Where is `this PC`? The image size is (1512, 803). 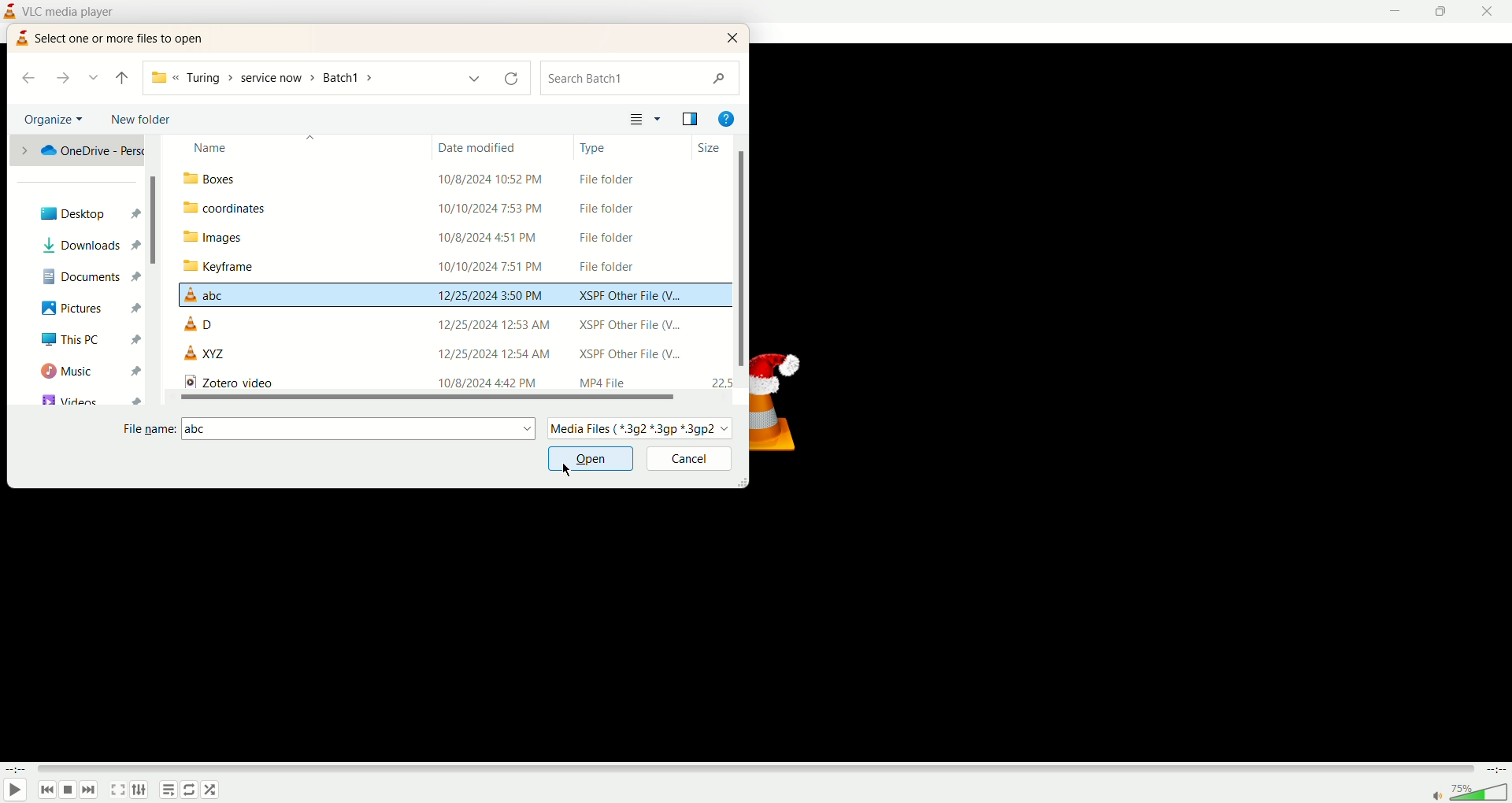
this PC is located at coordinates (87, 339).